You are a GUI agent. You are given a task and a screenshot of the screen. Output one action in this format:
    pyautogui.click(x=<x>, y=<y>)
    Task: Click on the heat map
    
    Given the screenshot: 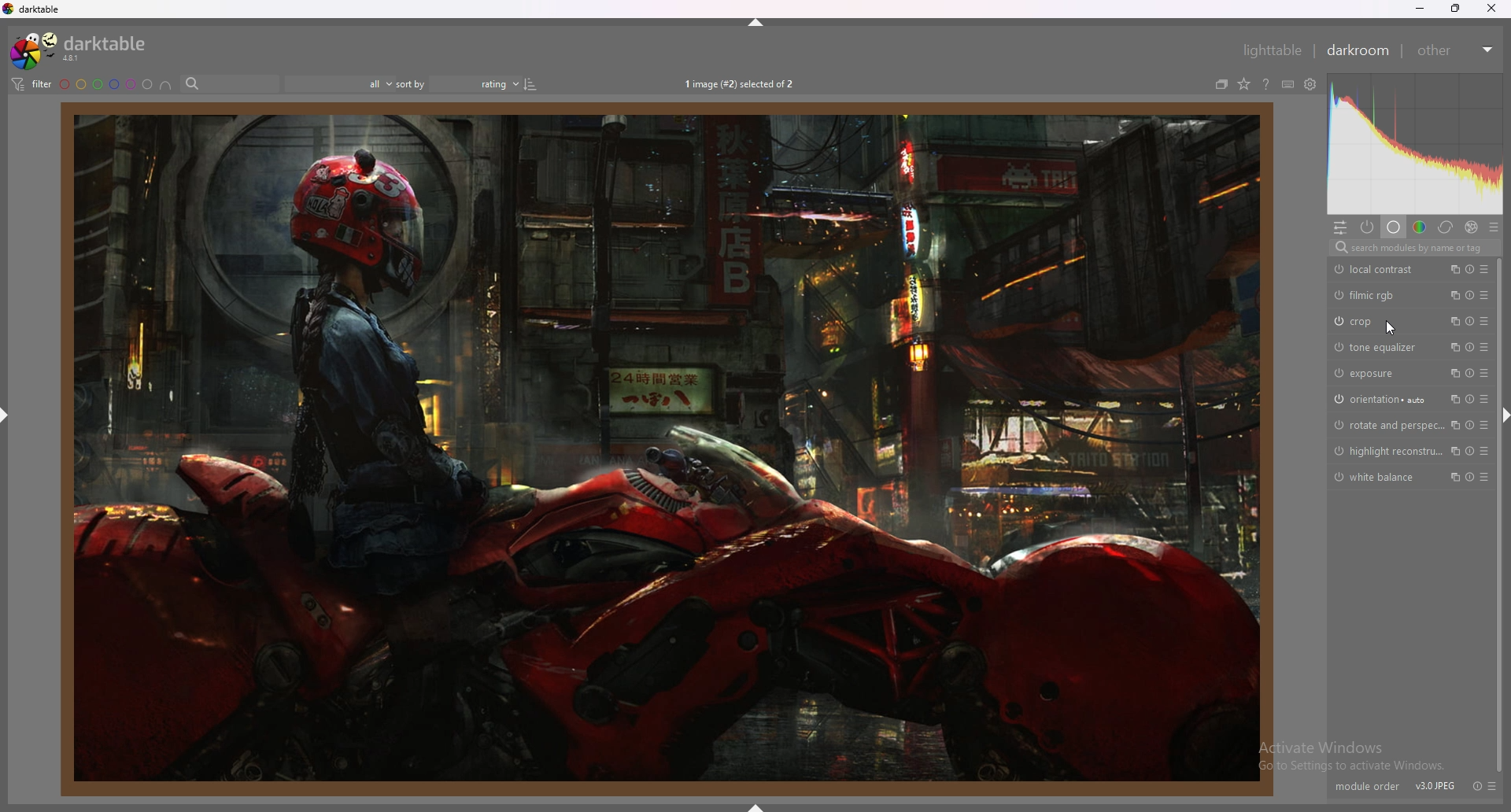 What is the action you would take?
    pyautogui.click(x=1414, y=143)
    